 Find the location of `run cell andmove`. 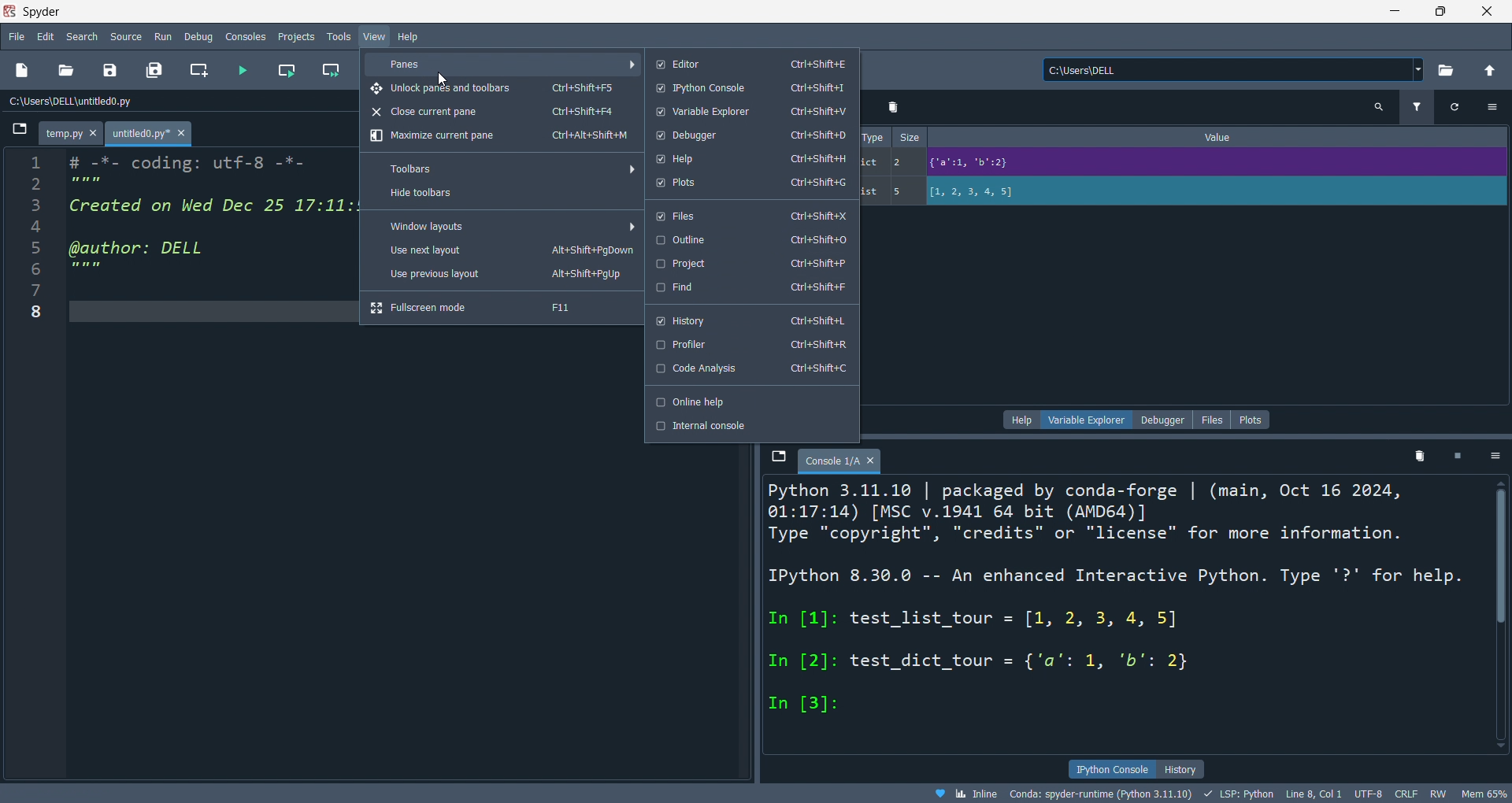

run cell andmove is located at coordinates (335, 69).